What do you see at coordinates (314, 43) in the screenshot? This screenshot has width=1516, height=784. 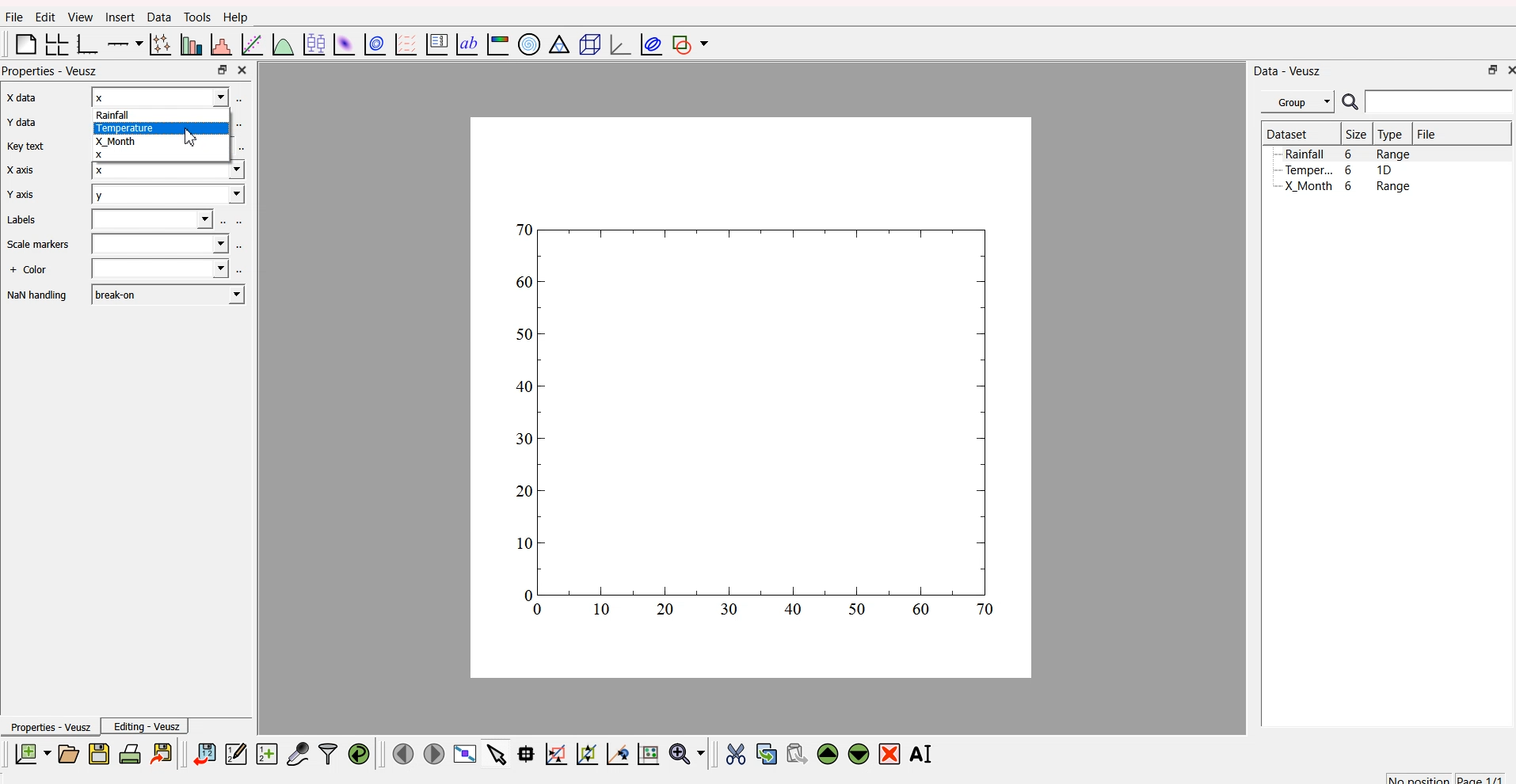 I see `plot box plots` at bounding box center [314, 43].